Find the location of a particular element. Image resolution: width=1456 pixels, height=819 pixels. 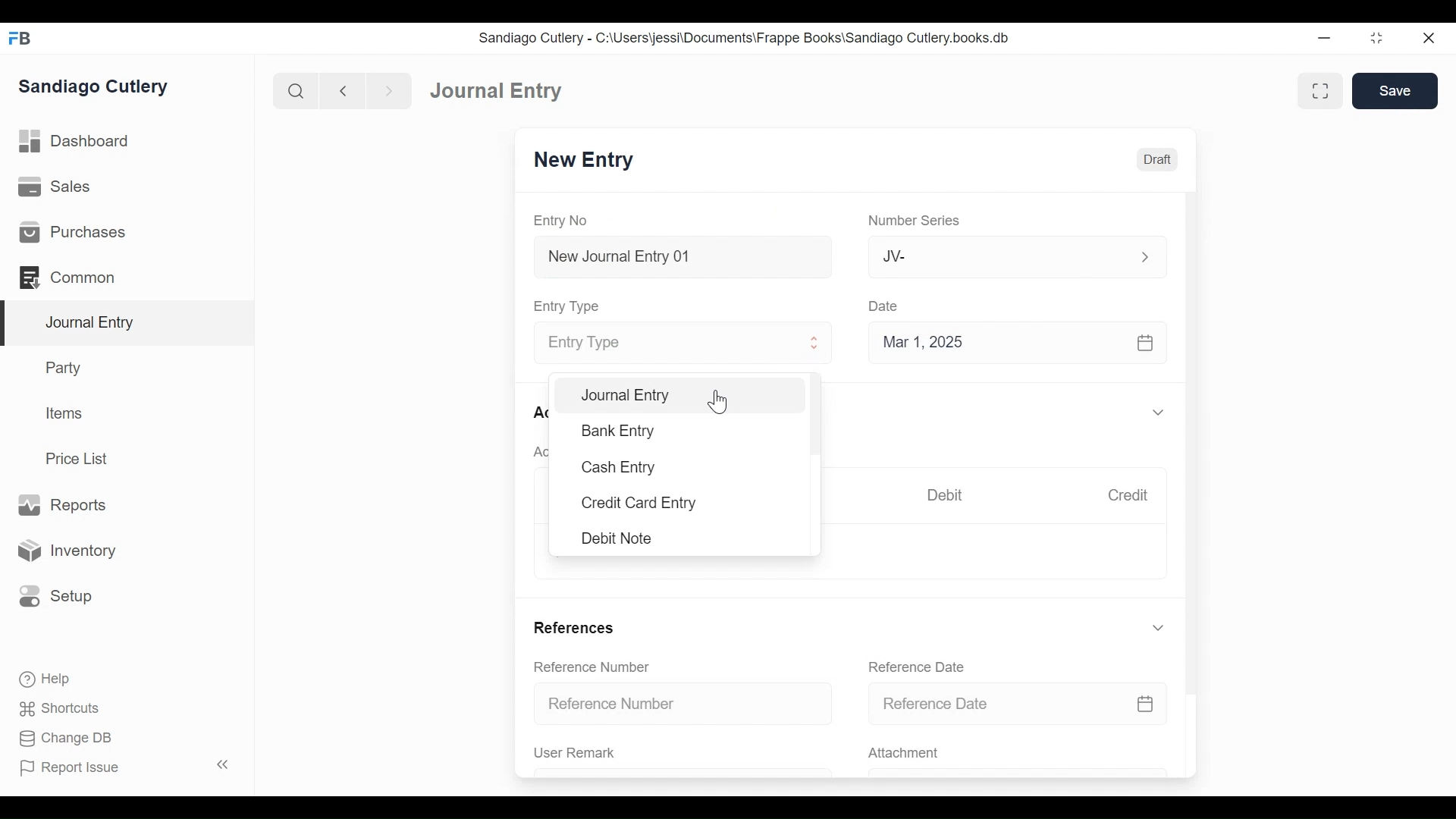

Change DB is located at coordinates (59, 739).